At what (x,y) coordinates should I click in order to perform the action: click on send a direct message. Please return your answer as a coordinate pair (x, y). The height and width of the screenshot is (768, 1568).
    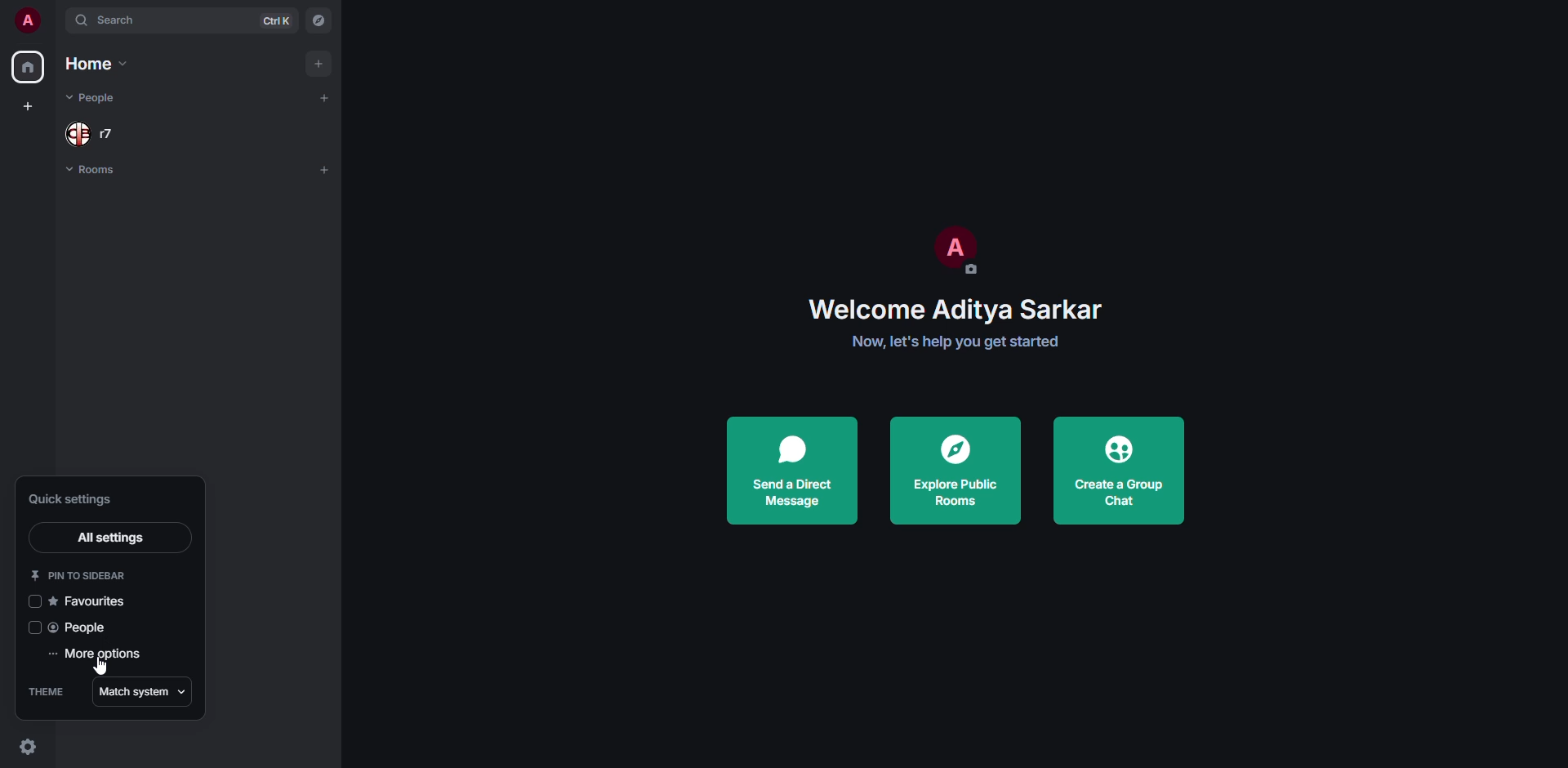
    Looking at the image, I should click on (795, 468).